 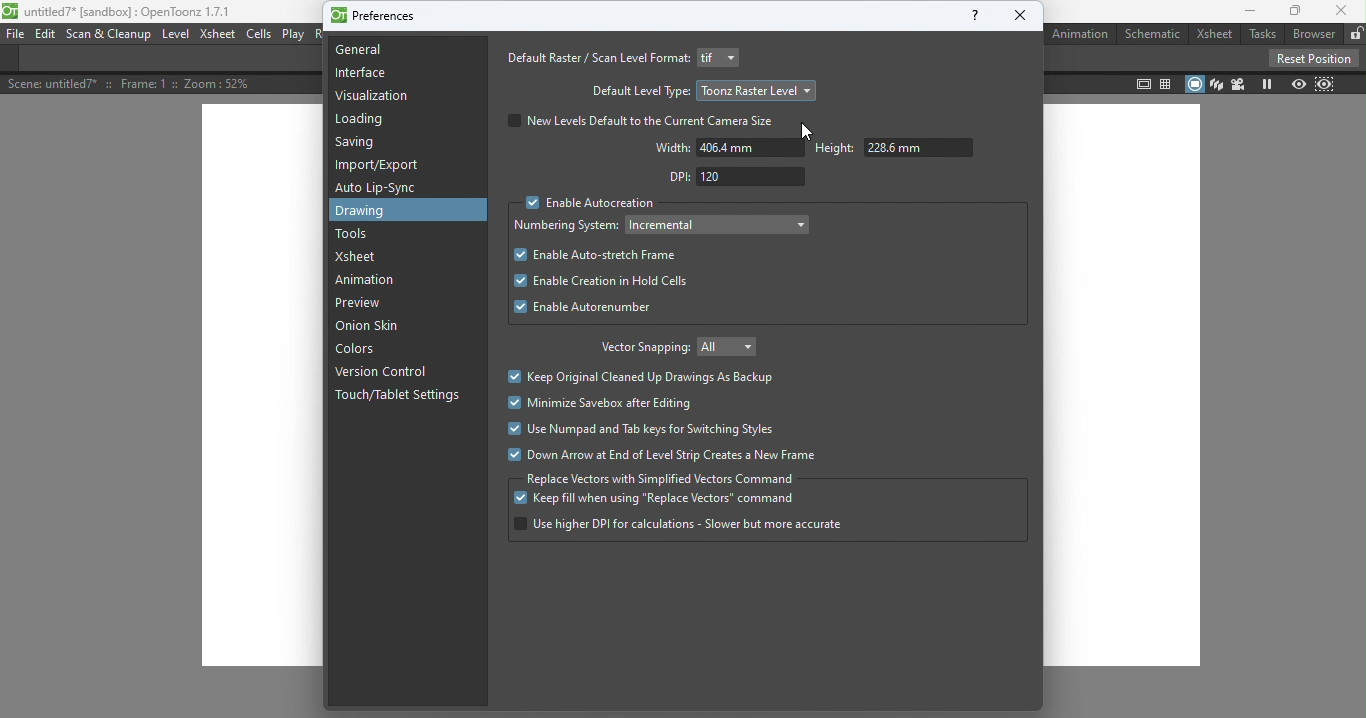 What do you see at coordinates (643, 378) in the screenshot?
I see `Keep original cleaned up drawings as backup` at bounding box center [643, 378].